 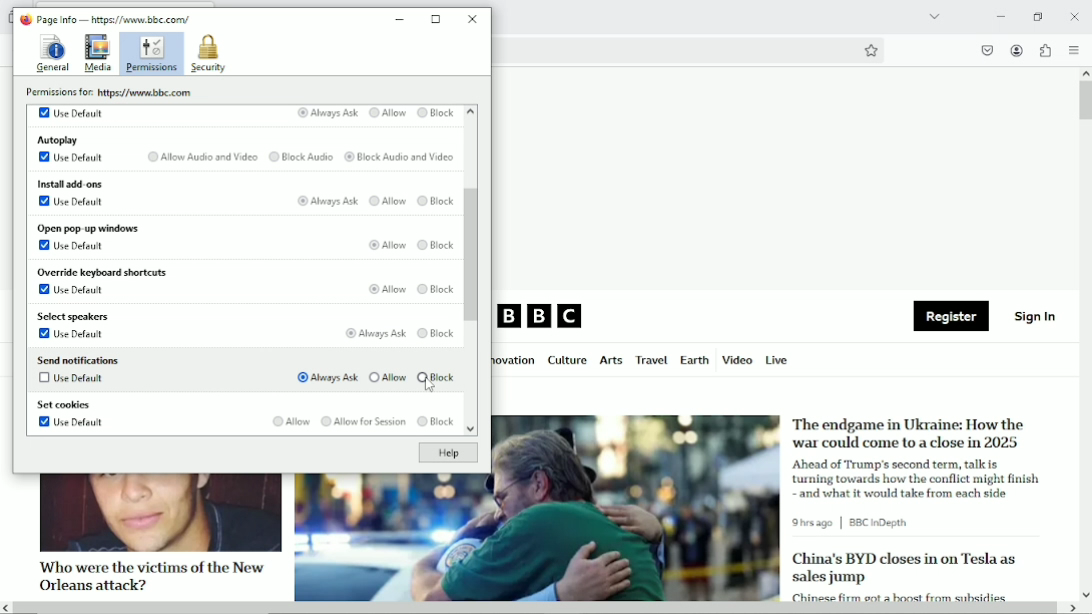 I want to click on Accounts, so click(x=1015, y=48).